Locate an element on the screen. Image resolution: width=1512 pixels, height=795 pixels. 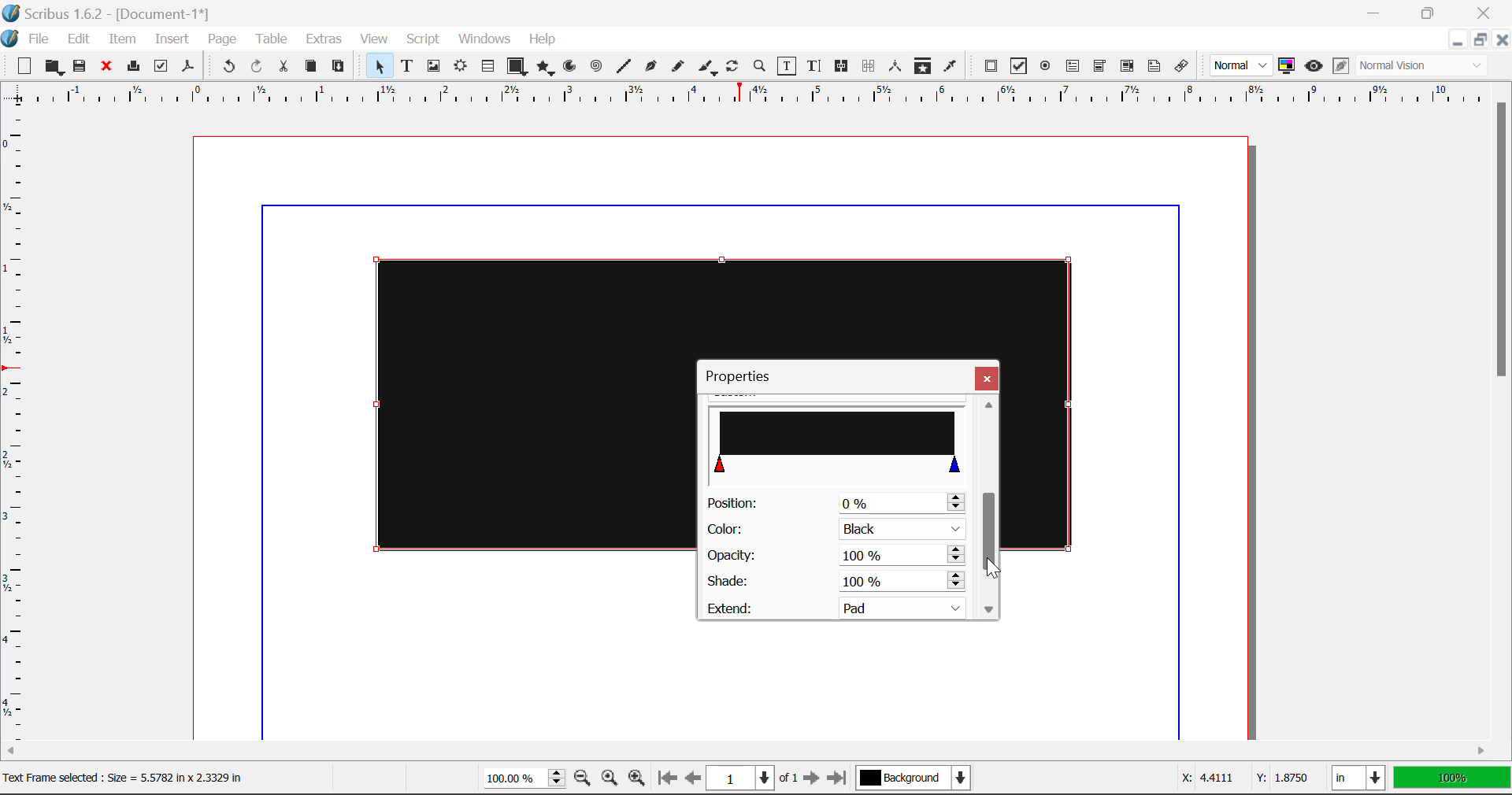
Toggle Color Management is located at coordinates (1287, 66).